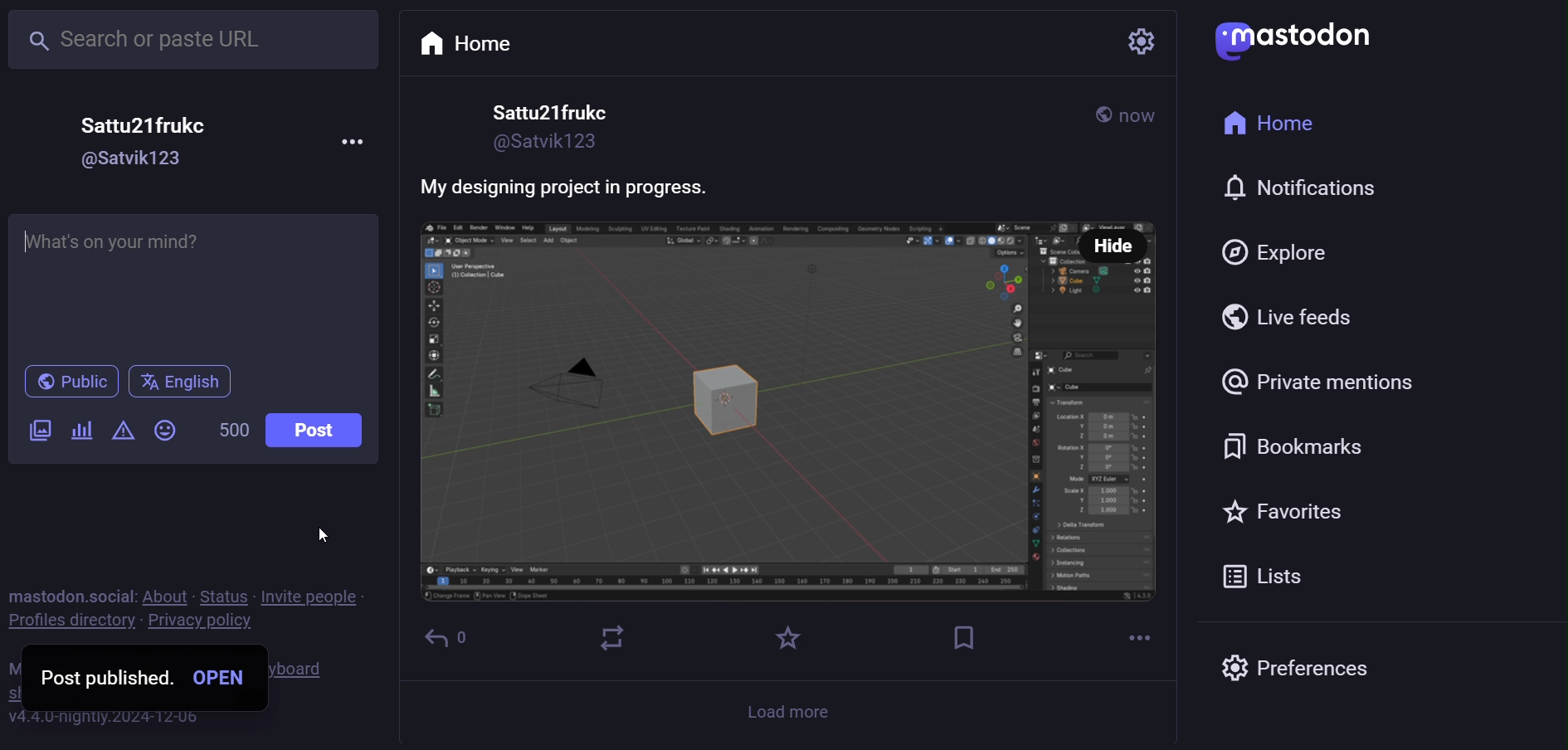 Image resolution: width=1568 pixels, height=750 pixels. I want to click on hide, so click(1117, 246).